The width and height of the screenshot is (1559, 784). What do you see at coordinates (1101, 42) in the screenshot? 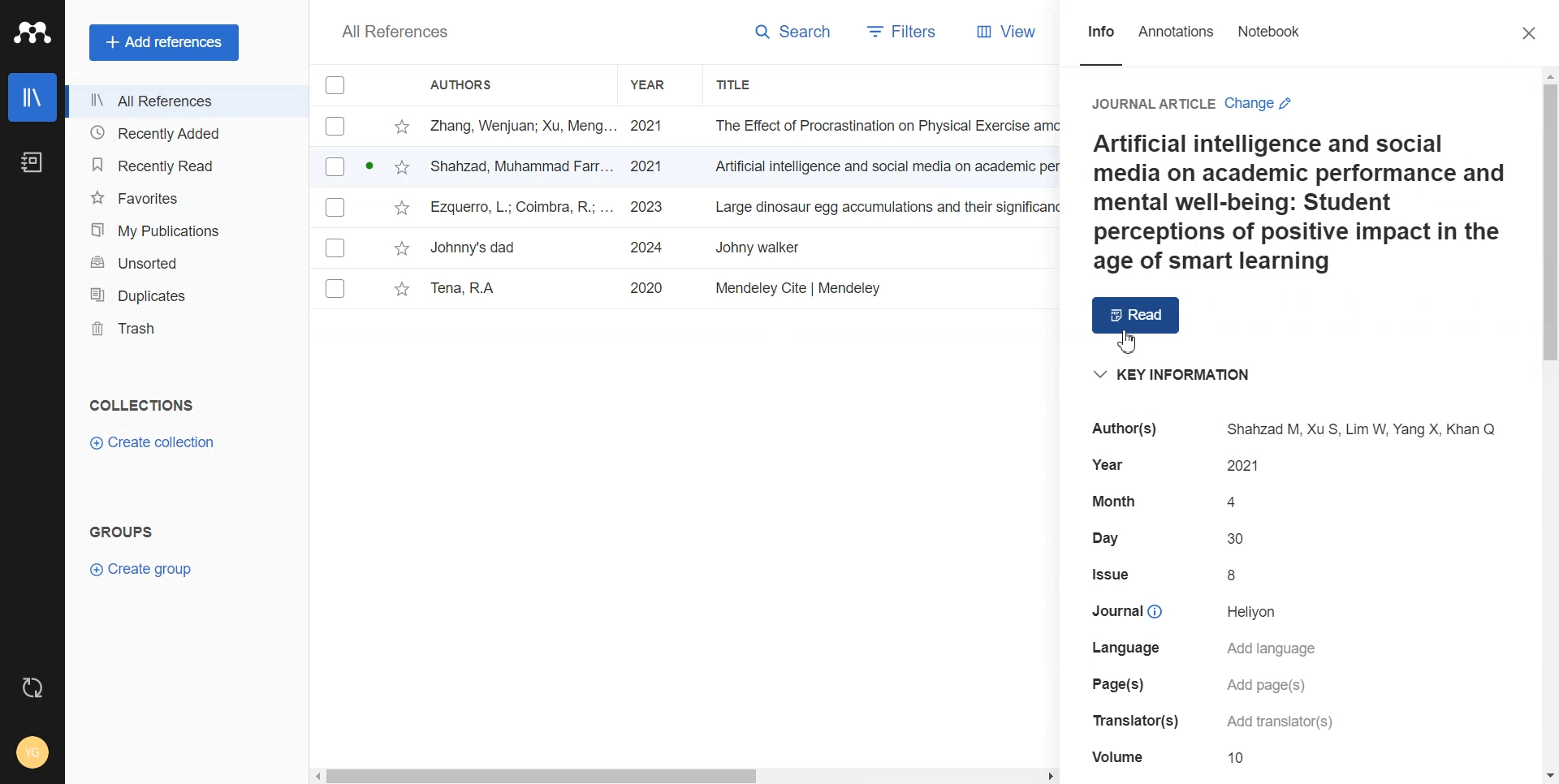
I see `Info` at bounding box center [1101, 42].